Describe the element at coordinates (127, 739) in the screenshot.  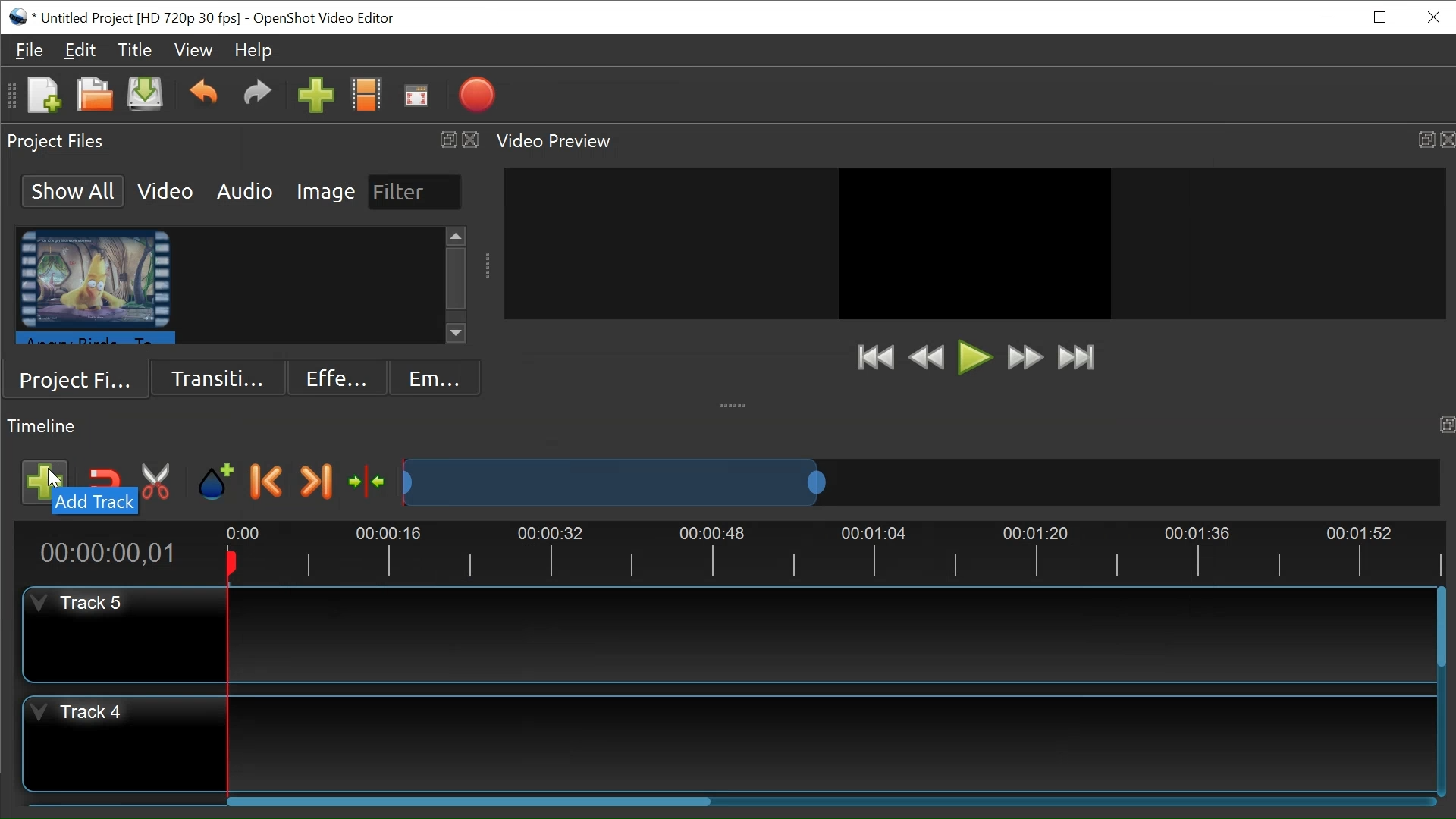
I see `Track Header for Track 4` at that location.